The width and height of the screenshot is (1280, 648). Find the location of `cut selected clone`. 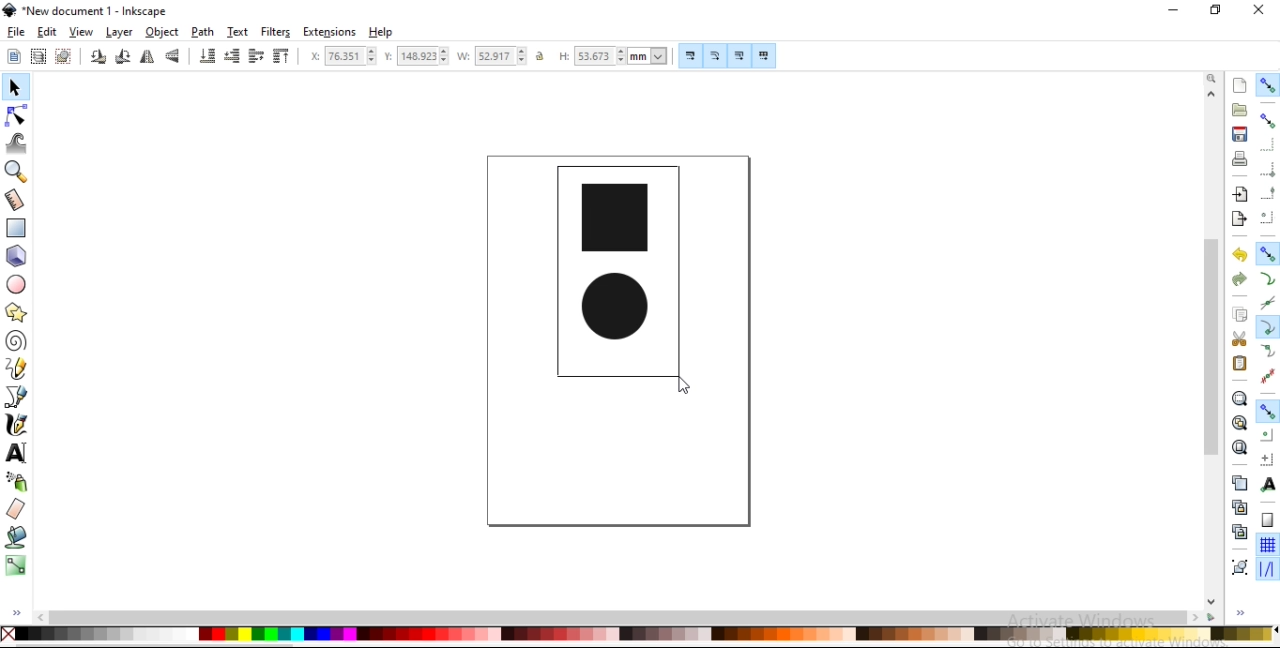

cut selected clone is located at coordinates (1237, 533).